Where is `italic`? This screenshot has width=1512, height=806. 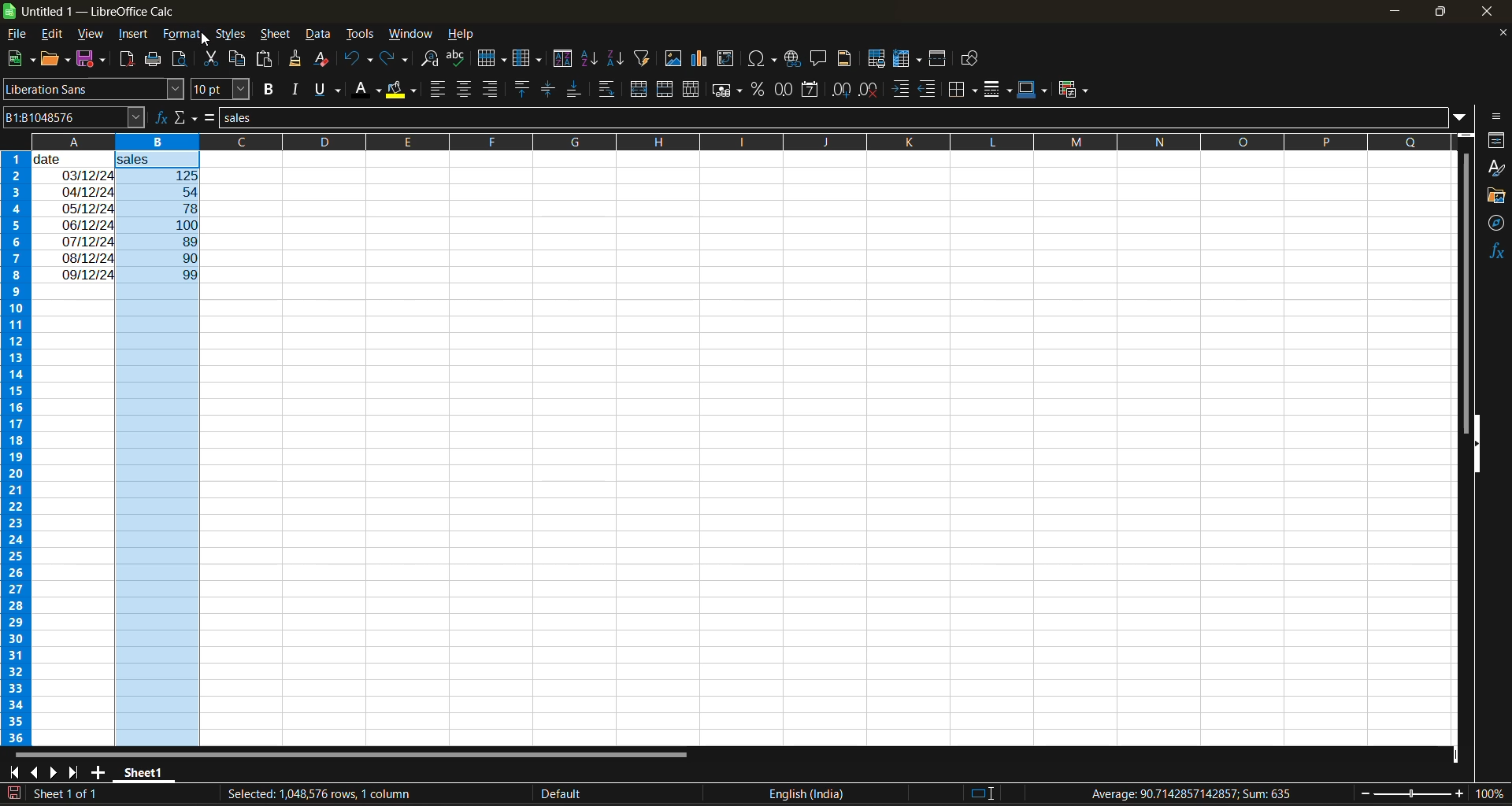
italic is located at coordinates (298, 89).